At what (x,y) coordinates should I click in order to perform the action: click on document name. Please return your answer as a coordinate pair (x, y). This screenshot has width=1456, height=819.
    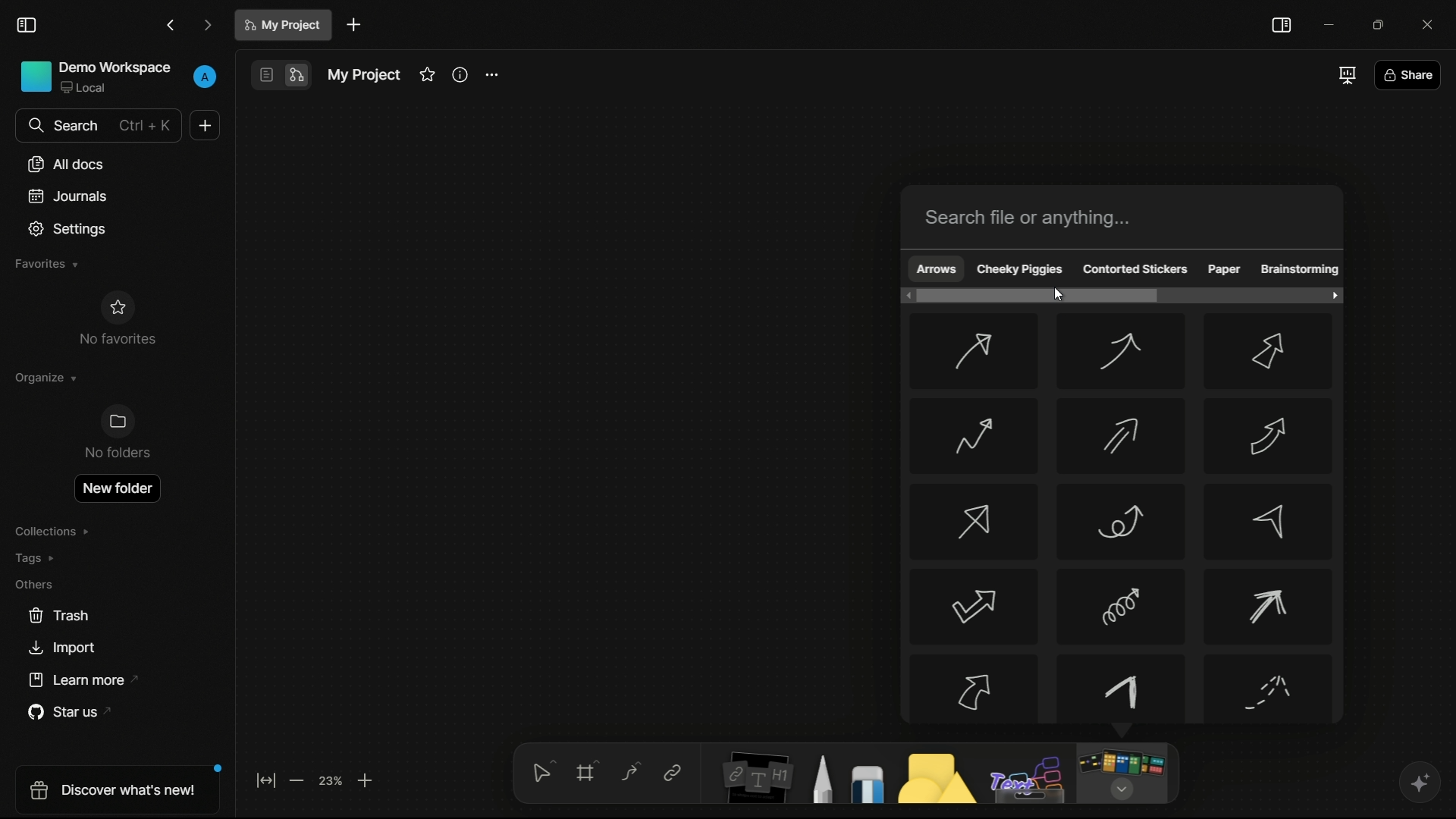
    Looking at the image, I should click on (285, 25).